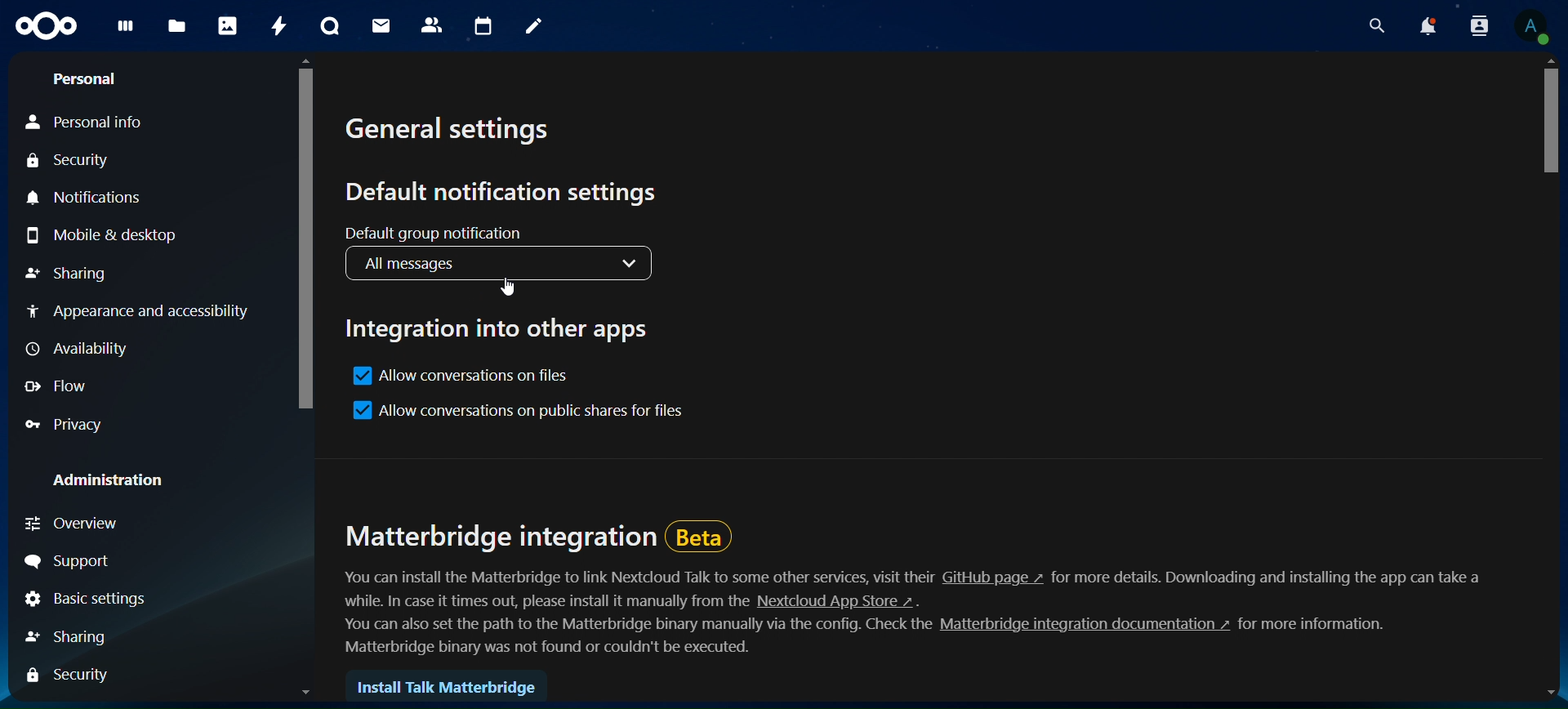 Image resolution: width=1568 pixels, height=709 pixels. I want to click on files, so click(129, 32).